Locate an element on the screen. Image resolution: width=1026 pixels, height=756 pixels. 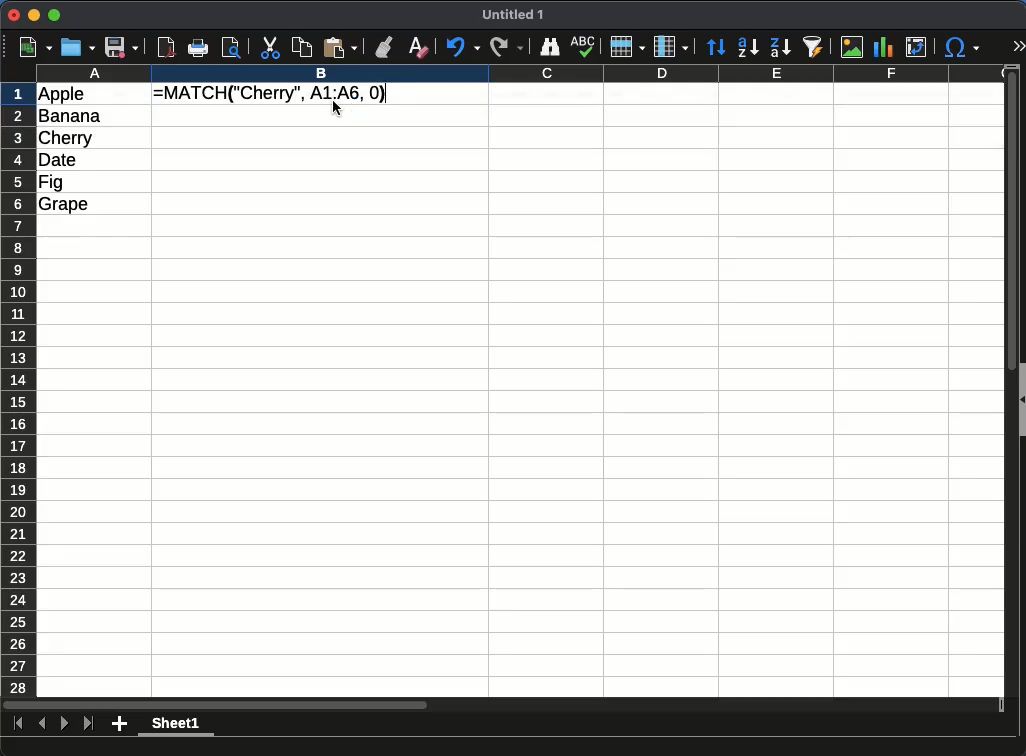
column is located at coordinates (521, 73).